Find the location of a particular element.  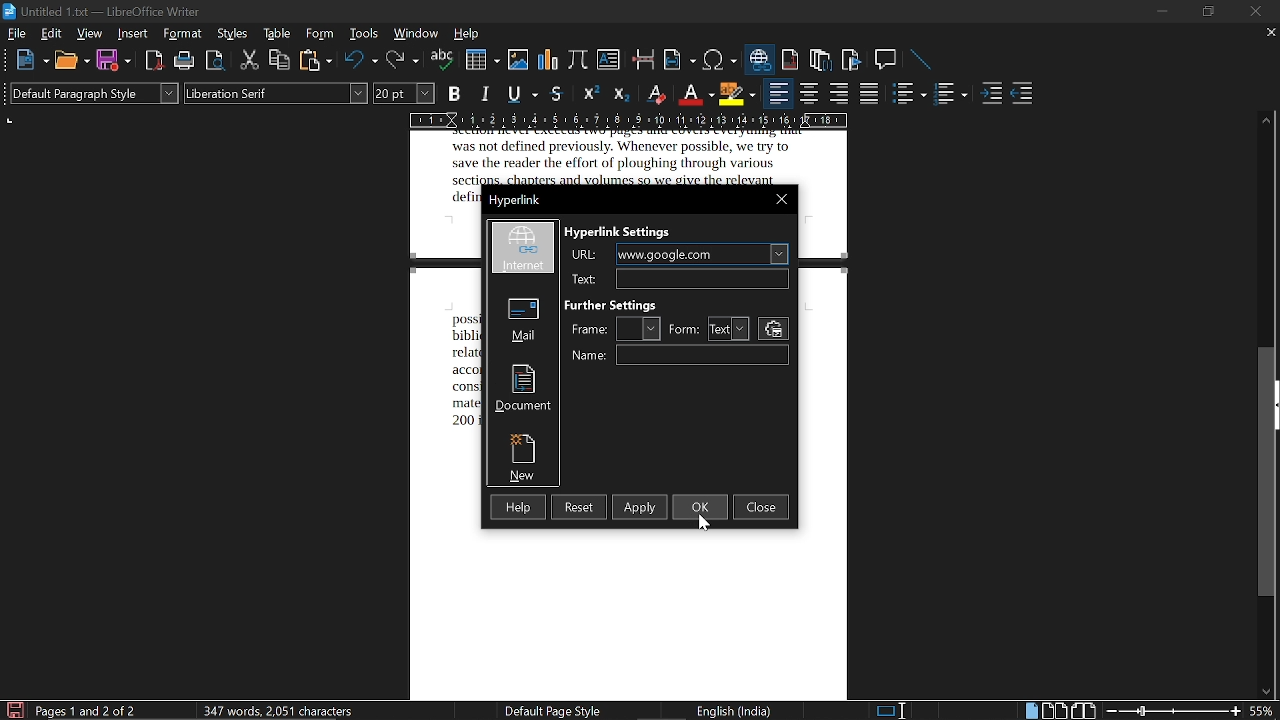

new is located at coordinates (31, 61).